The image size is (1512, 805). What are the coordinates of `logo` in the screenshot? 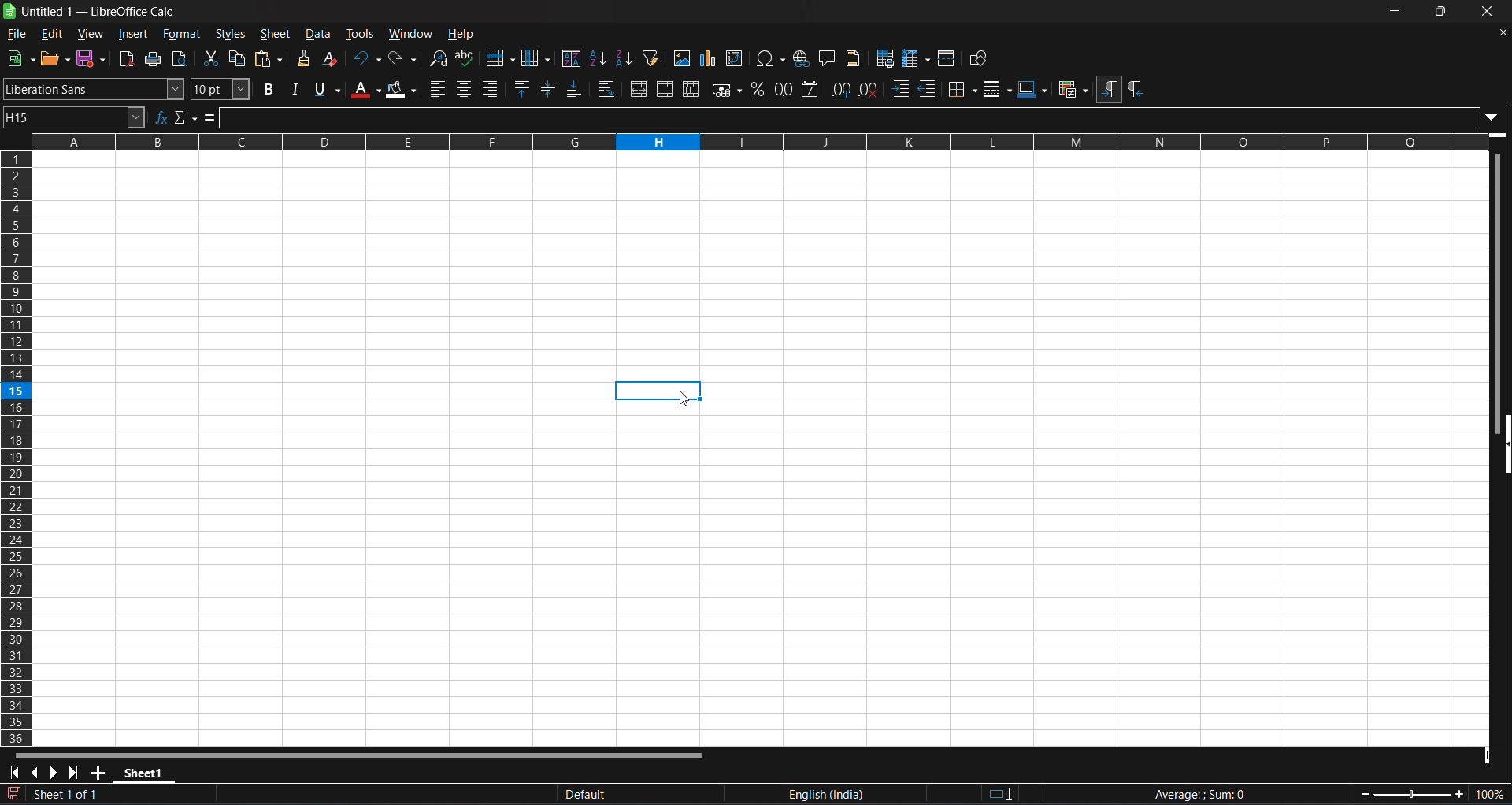 It's located at (11, 11).